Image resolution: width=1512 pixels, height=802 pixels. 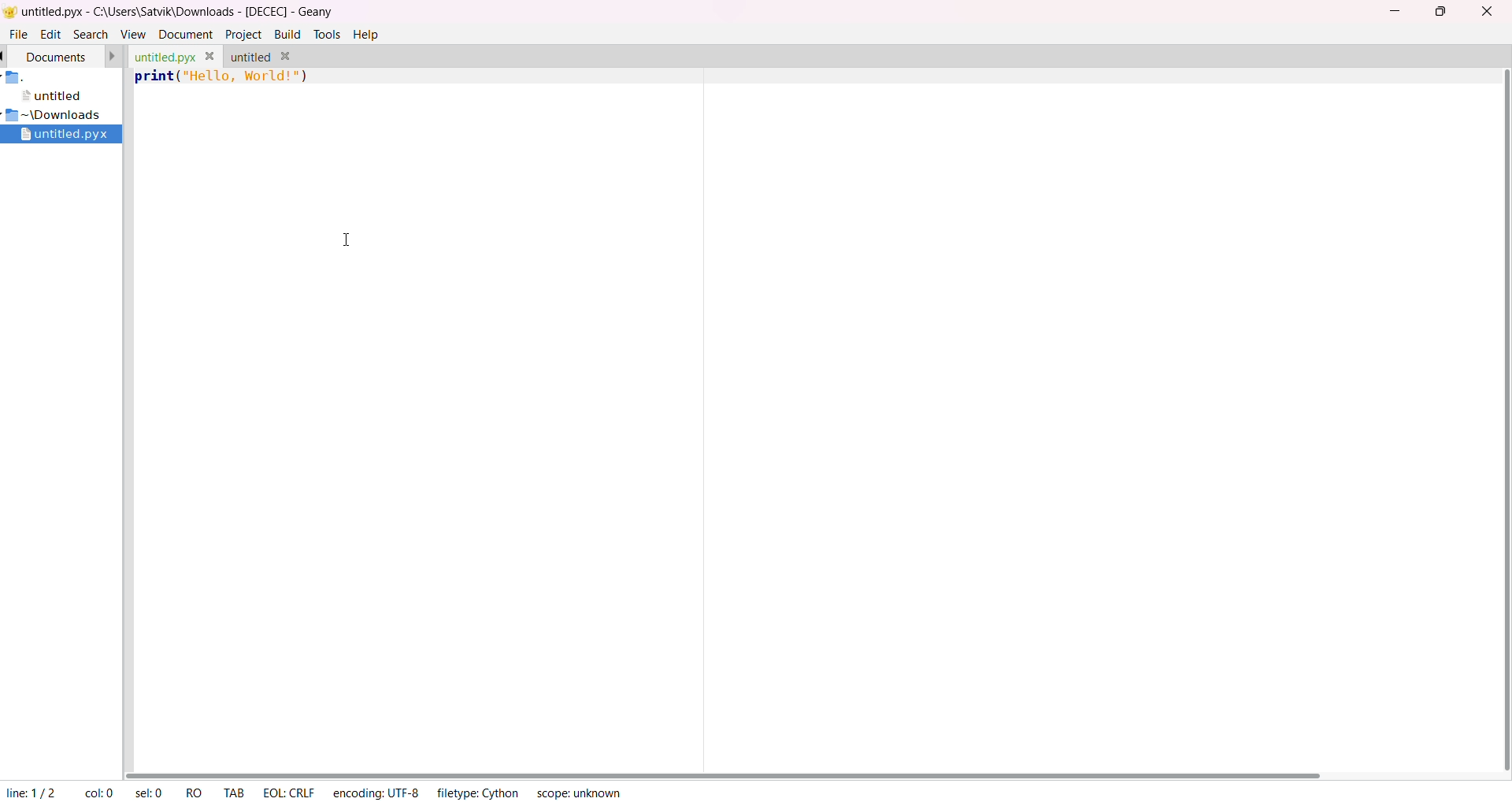 I want to click on untitled, so click(x=253, y=55).